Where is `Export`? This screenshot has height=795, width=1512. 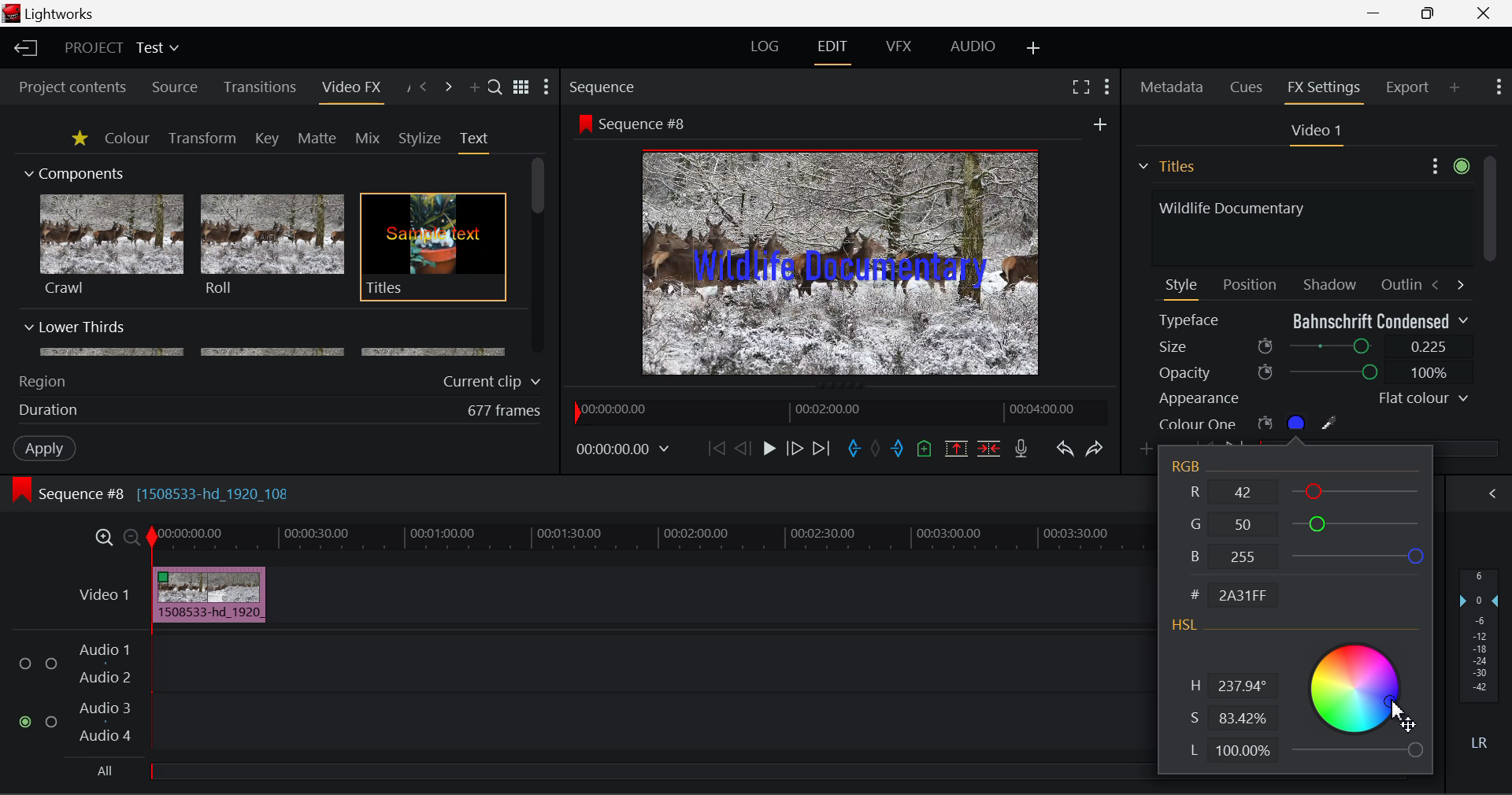 Export is located at coordinates (1408, 87).